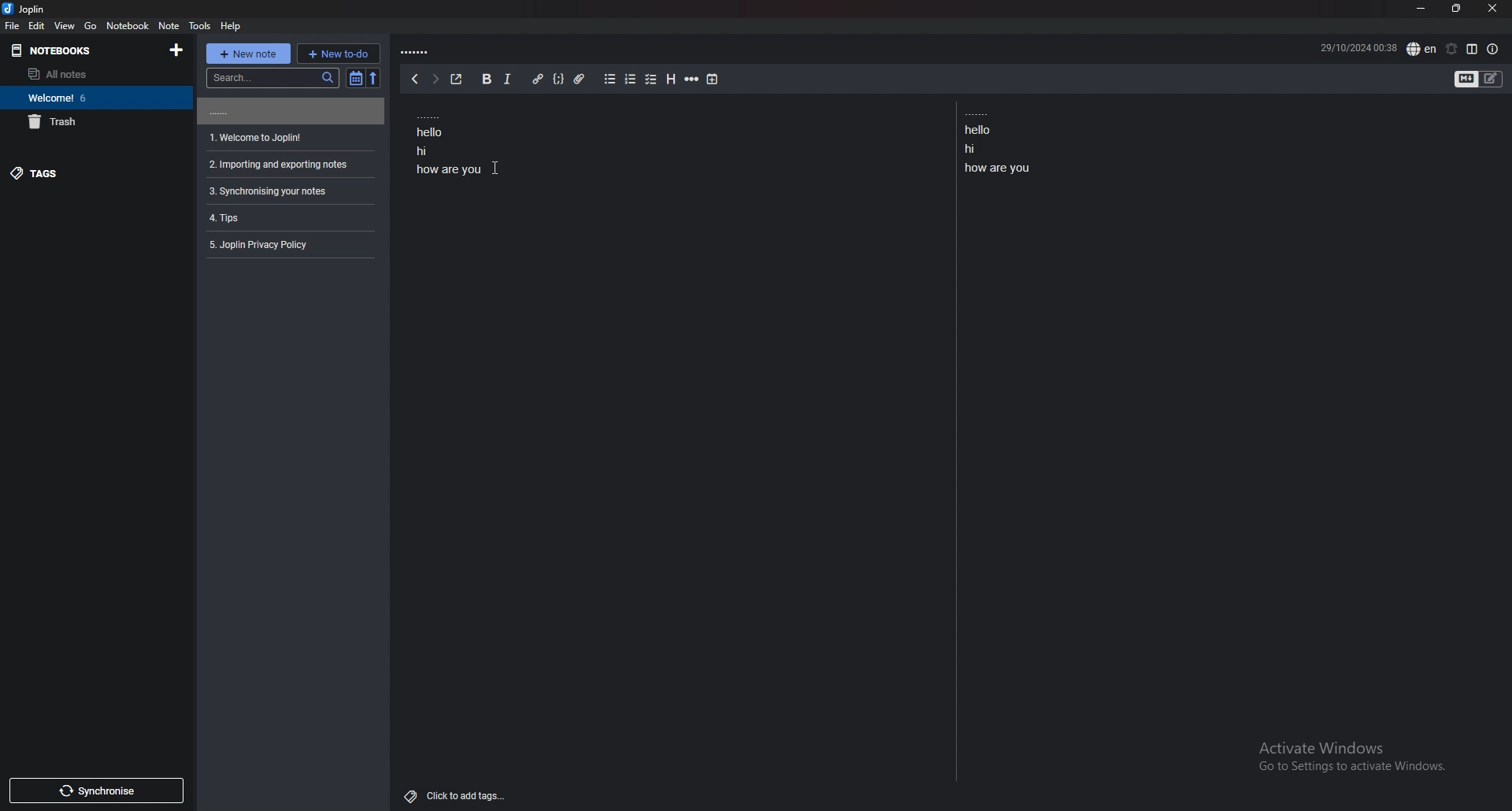  I want to click on bold, so click(486, 79).